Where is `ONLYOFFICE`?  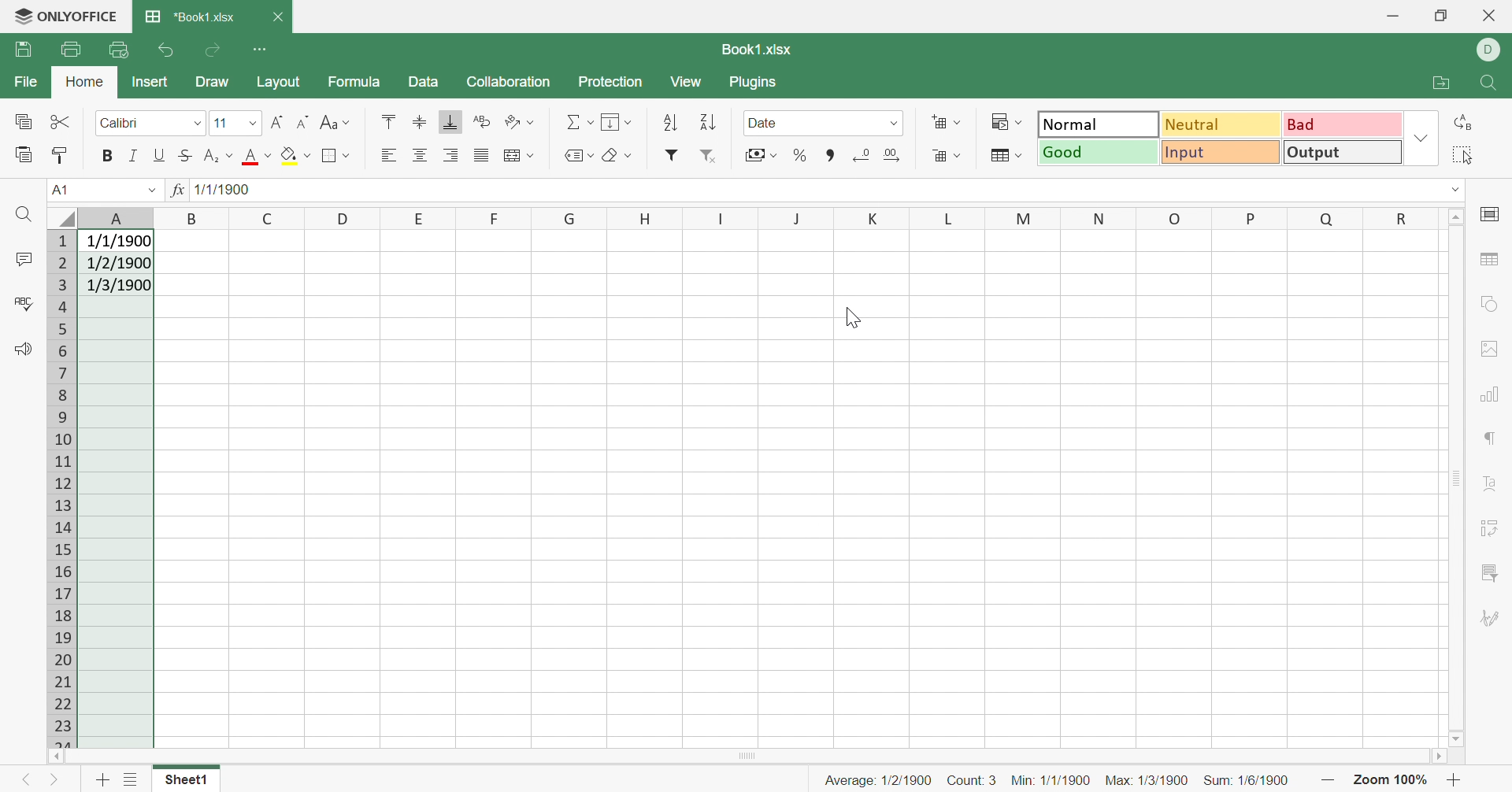 ONLYOFFICE is located at coordinates (81, 14).